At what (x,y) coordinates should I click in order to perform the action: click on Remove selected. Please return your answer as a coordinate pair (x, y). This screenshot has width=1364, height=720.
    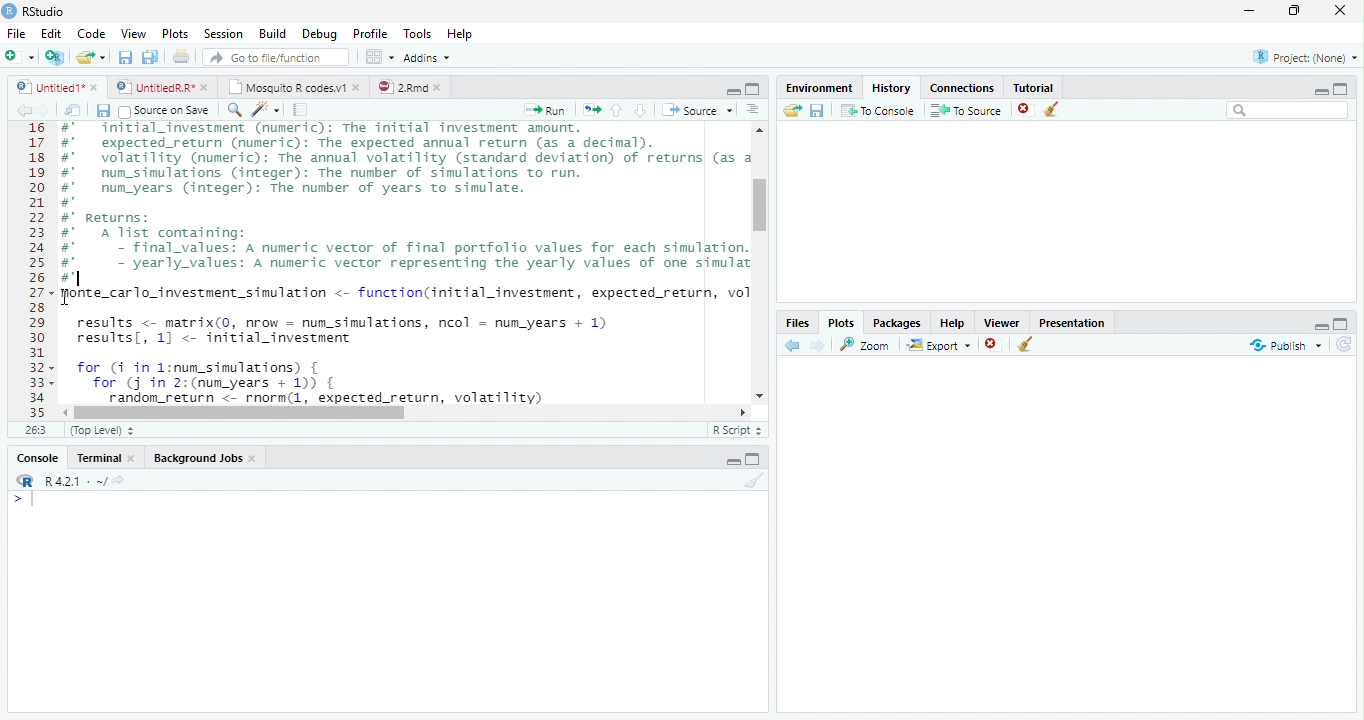
    Looking at the image, I should click on (995, 345).